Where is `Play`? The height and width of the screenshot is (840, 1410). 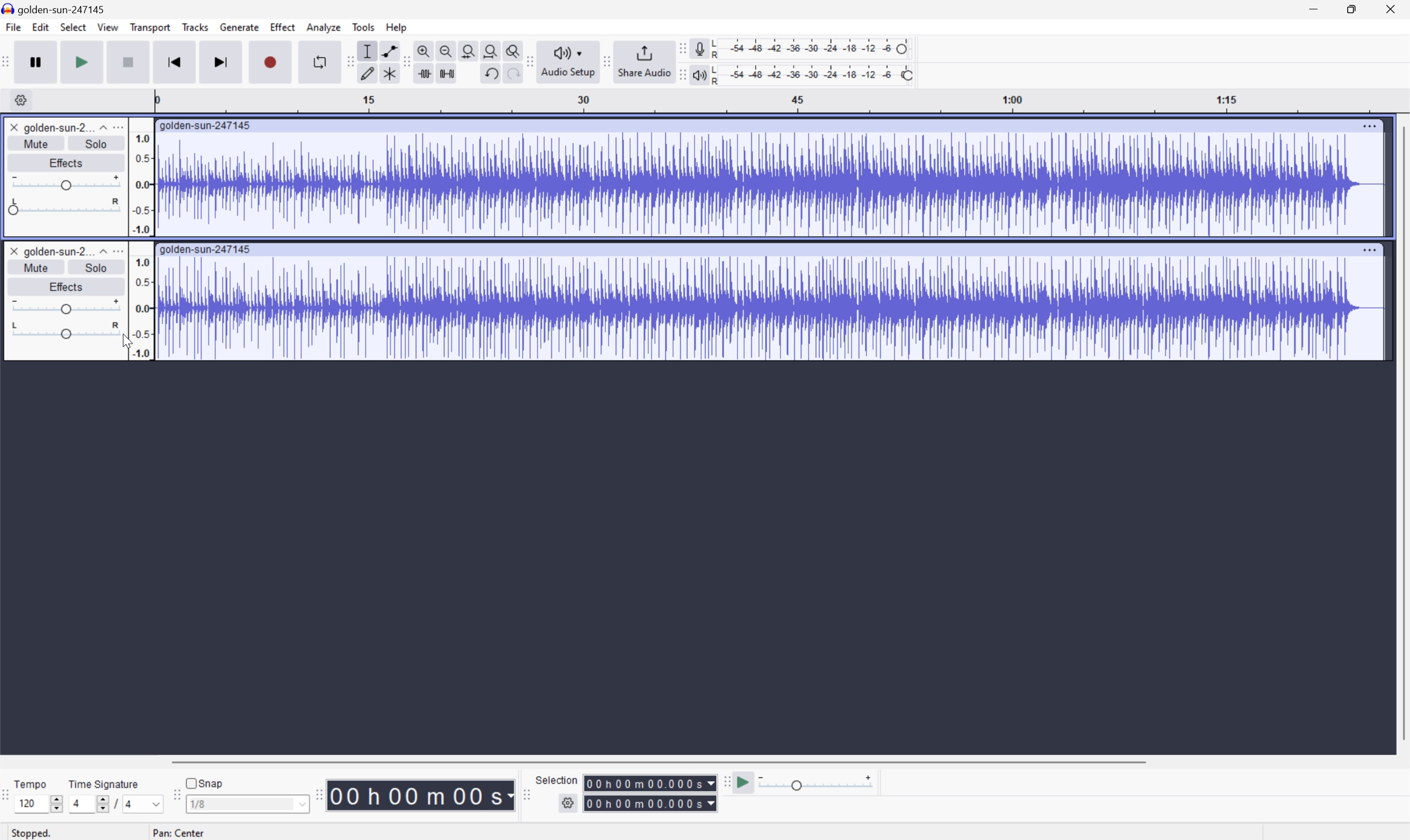 Play is located at coordinates (85, 62).